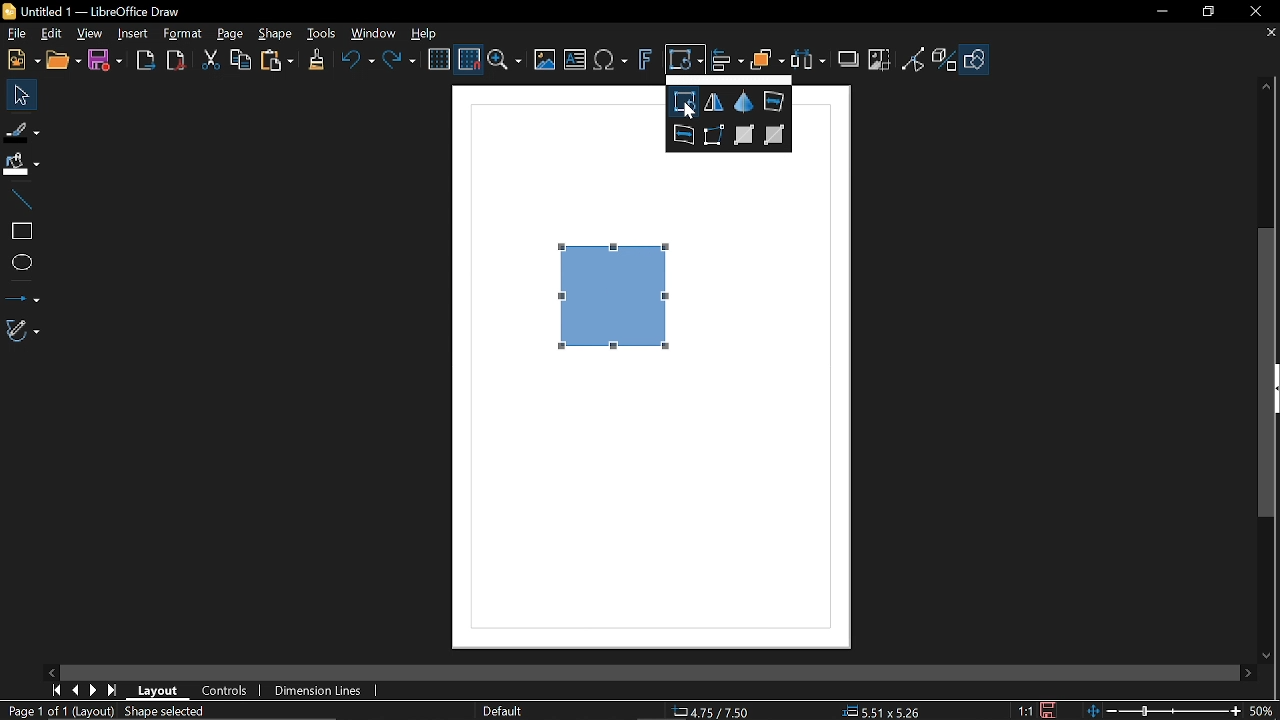 The image size is (1280, 720). I want to click on layout, so click(158, 692).